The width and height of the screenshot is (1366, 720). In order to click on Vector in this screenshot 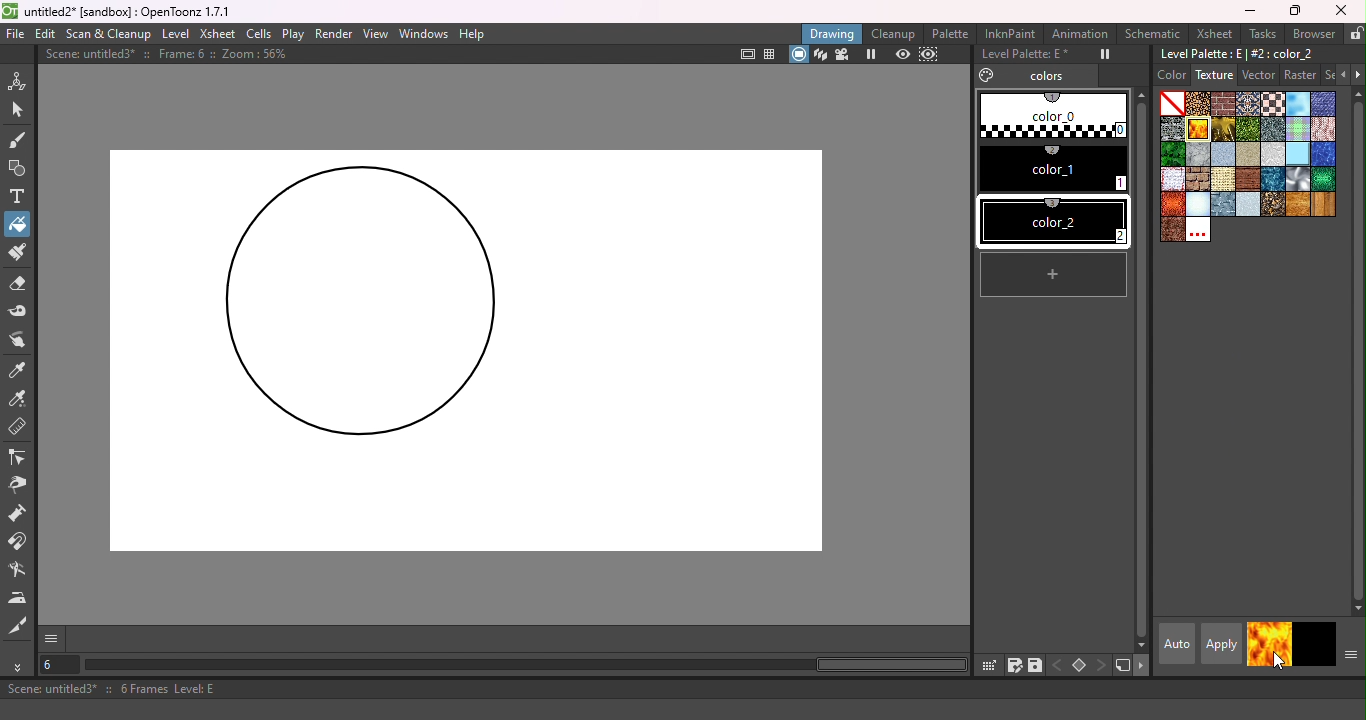, I will do `click(1259, 75)`.